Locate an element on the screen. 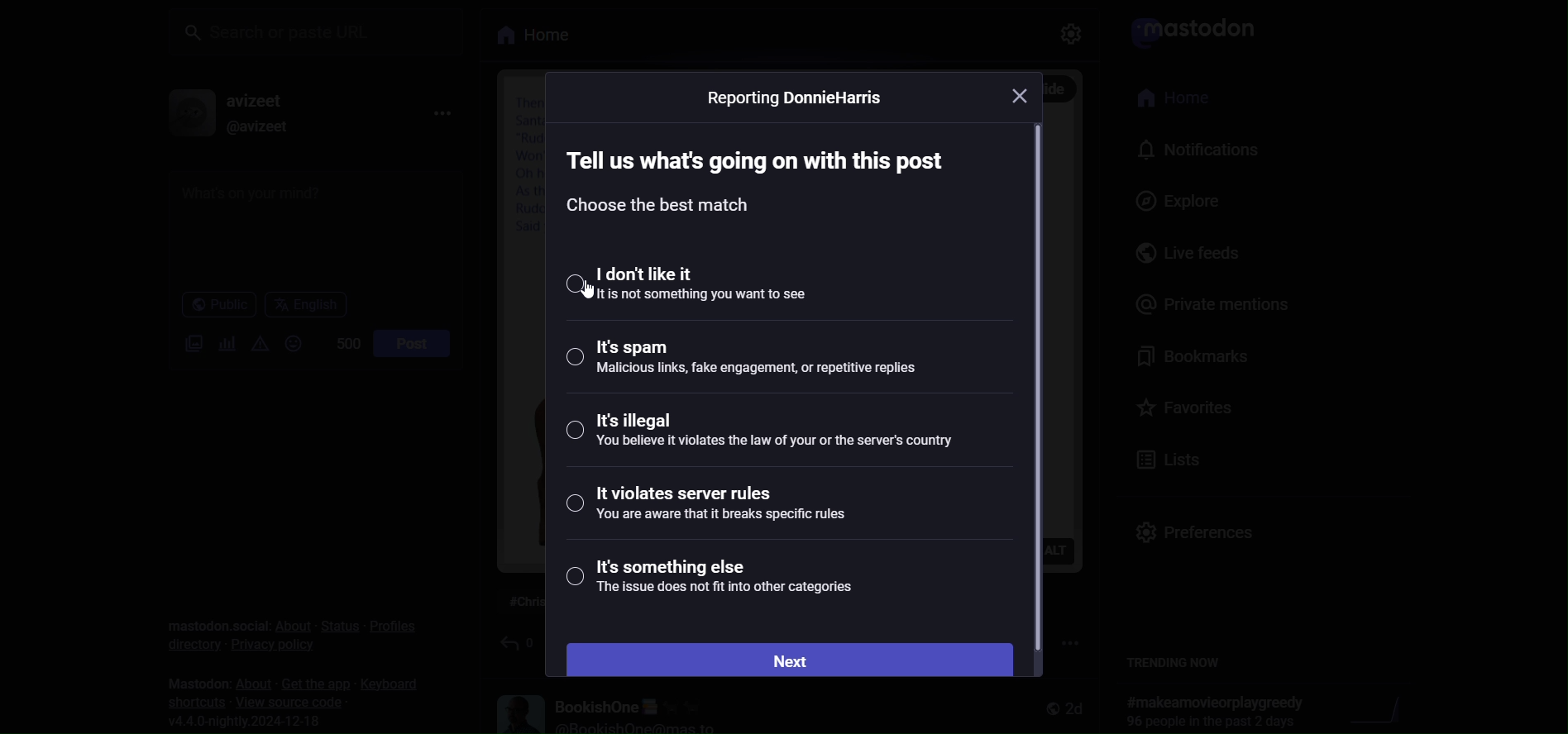  private mention is located at coordinates (1207, 302).